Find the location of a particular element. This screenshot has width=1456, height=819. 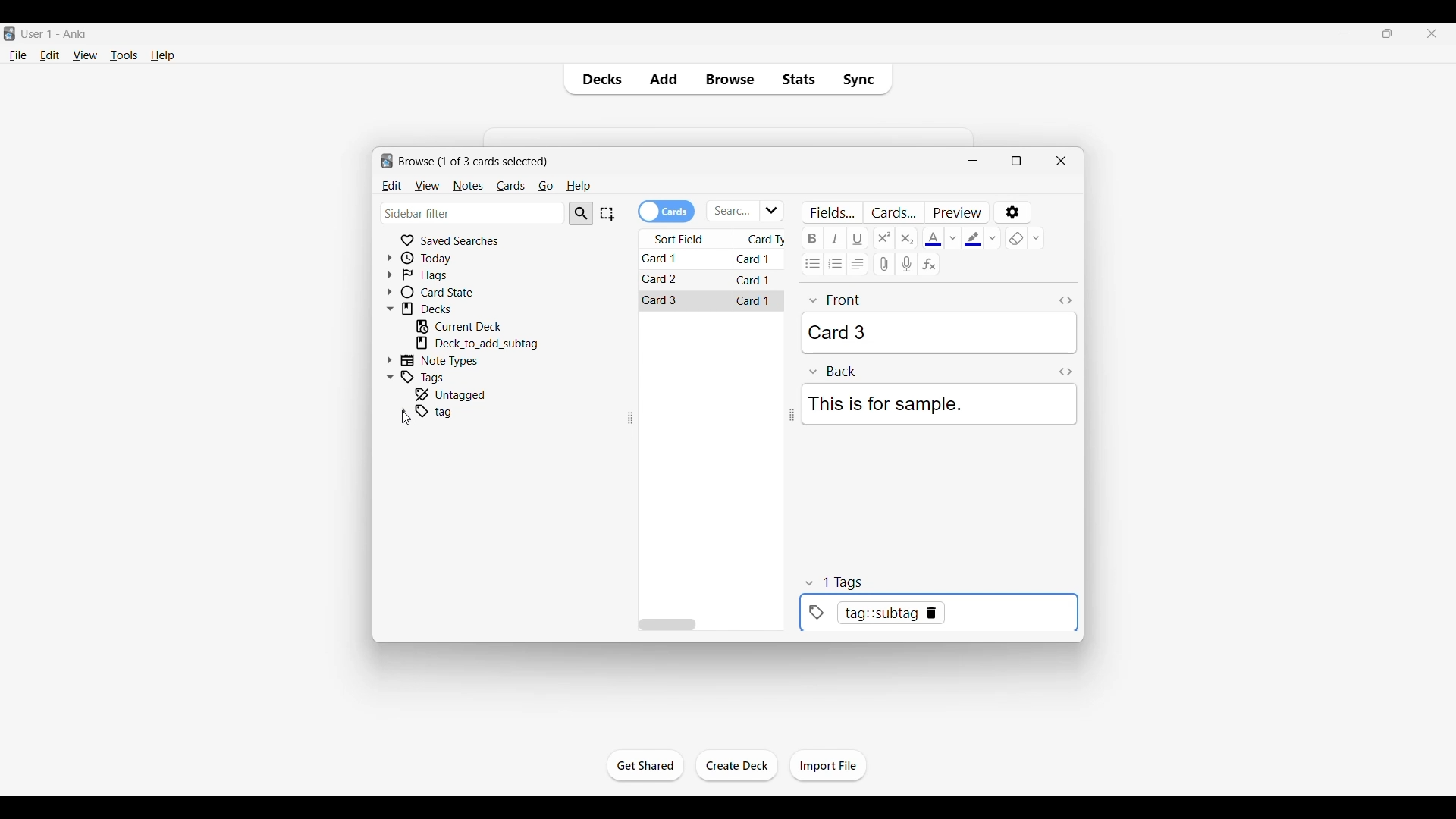

Text color options is located at coordinates (952, 238).